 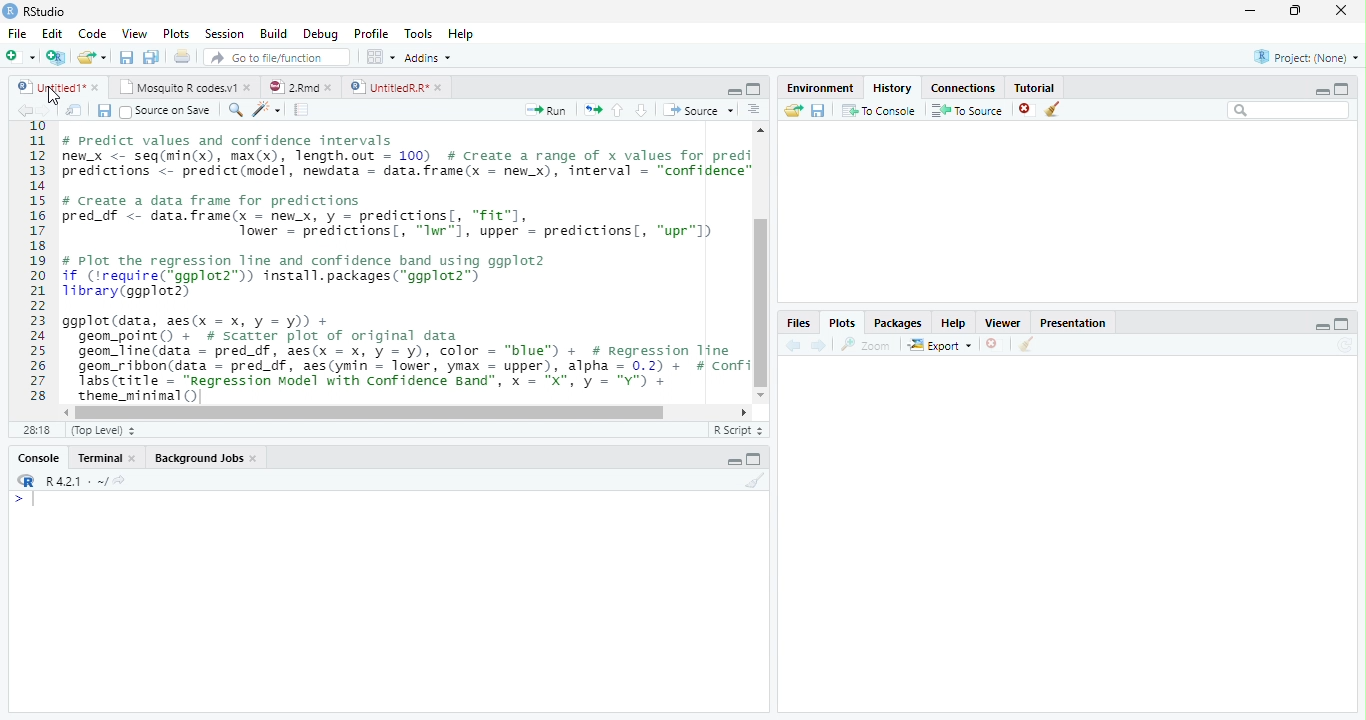 What do you see at coordinates (278, 58) in the screenshot?
I see `Go to the file/function` at bounding box center [278, 58].